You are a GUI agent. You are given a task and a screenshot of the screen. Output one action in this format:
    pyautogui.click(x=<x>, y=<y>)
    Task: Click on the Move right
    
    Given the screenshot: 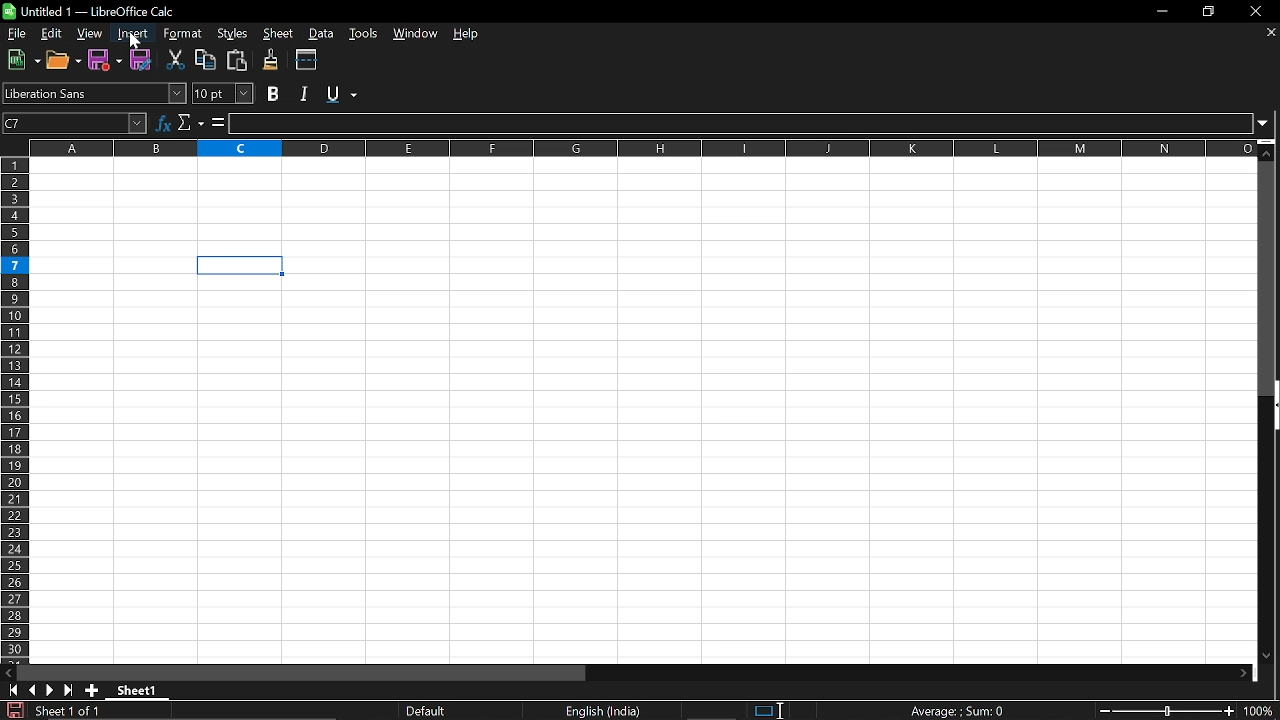 What is the action you would take?
    pyautogui.click(x=1243, y=674)
    